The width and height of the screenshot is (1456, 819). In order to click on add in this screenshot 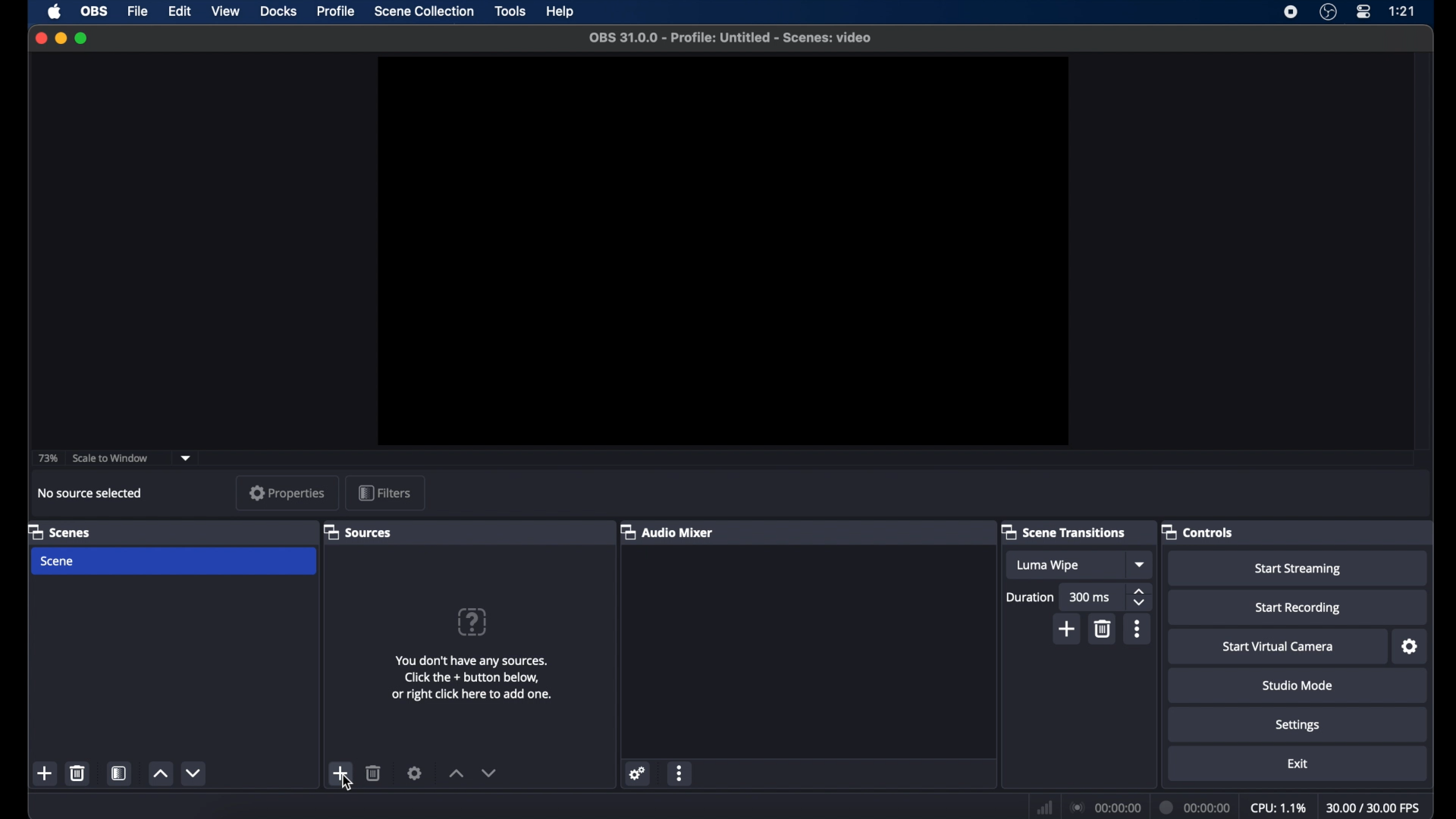, I will do `click(45, 773)`.